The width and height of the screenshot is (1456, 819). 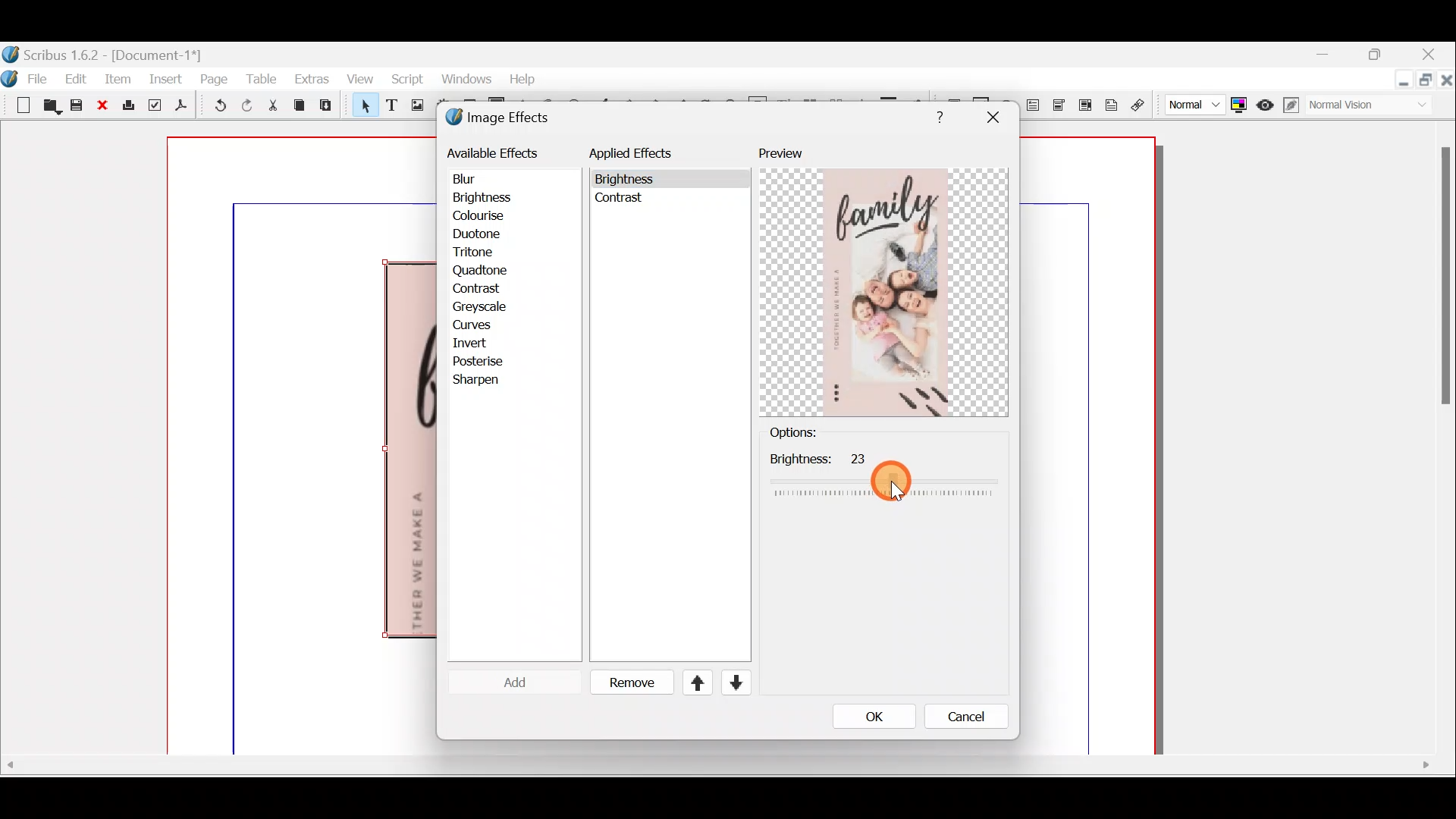 I want to click on , so click(x=883, y=474).